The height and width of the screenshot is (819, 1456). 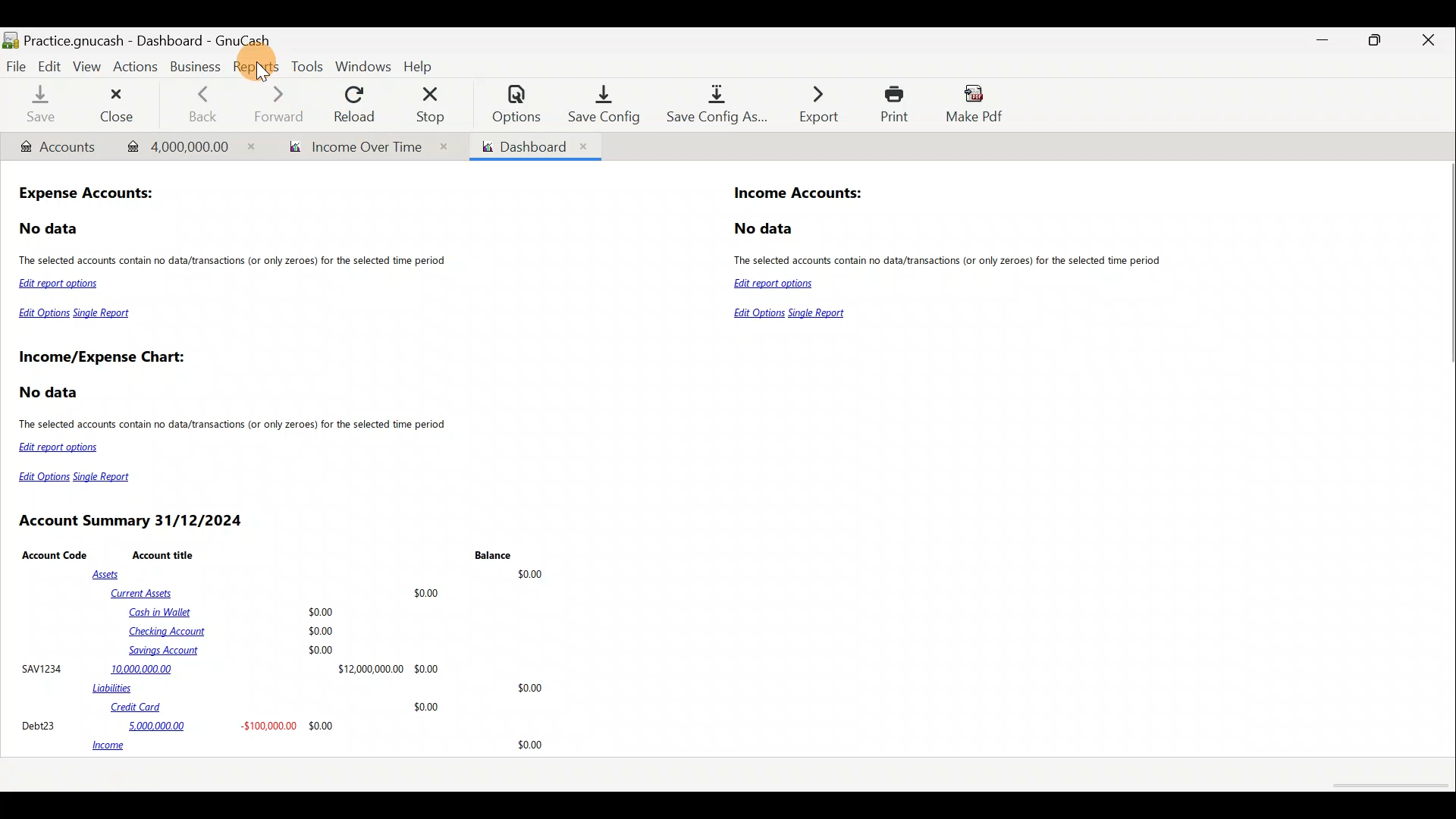 What do you see at coordinates (234, 426) in the screenshot?
I see `The selected accounts contain no data/transactions (or only zeroes) for the selected time period` at bounding box center [234, 426].